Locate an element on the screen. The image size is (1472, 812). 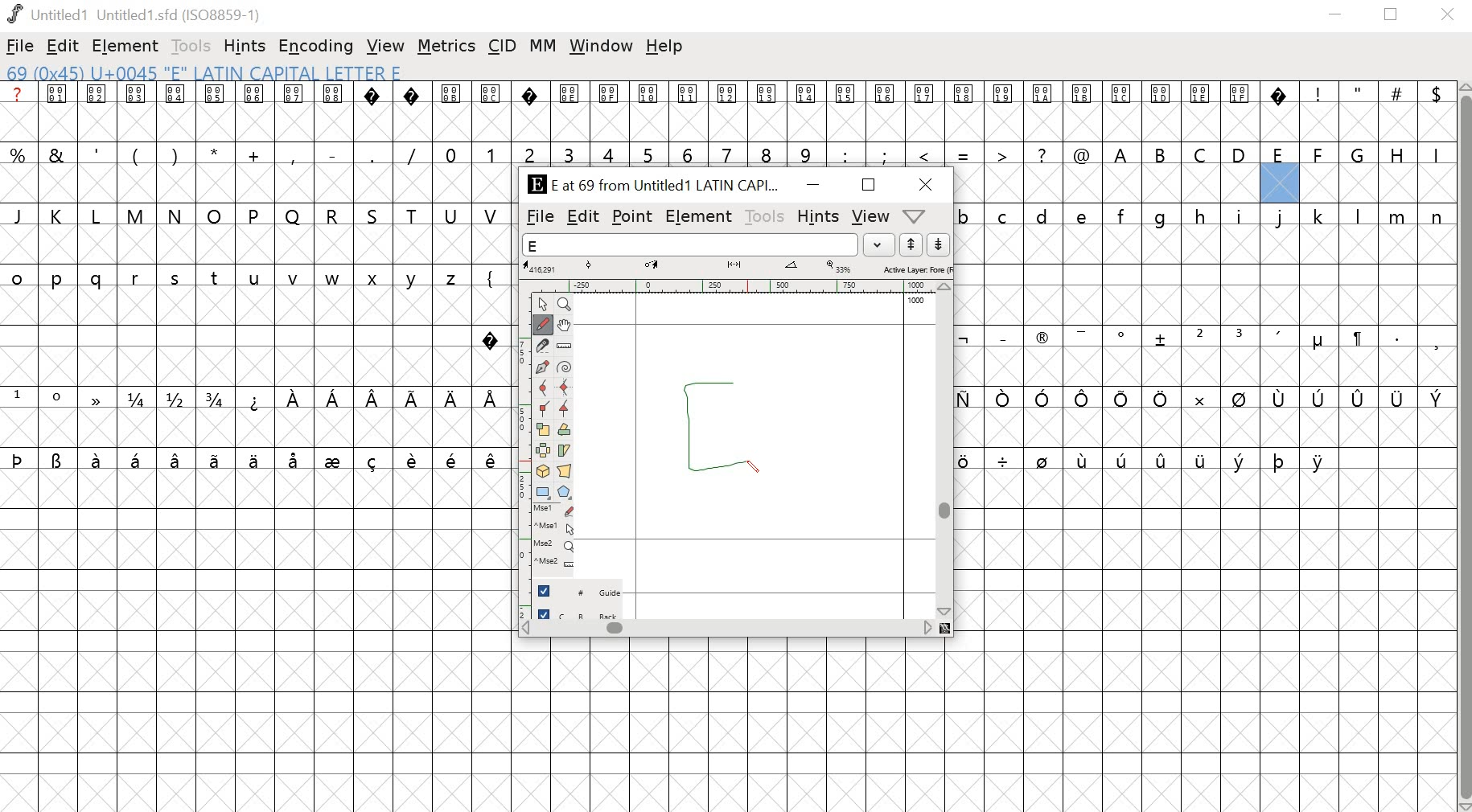
Untitled1 Untitled 1.sfd (IS08859-1) is located at coordinates (135, 14).